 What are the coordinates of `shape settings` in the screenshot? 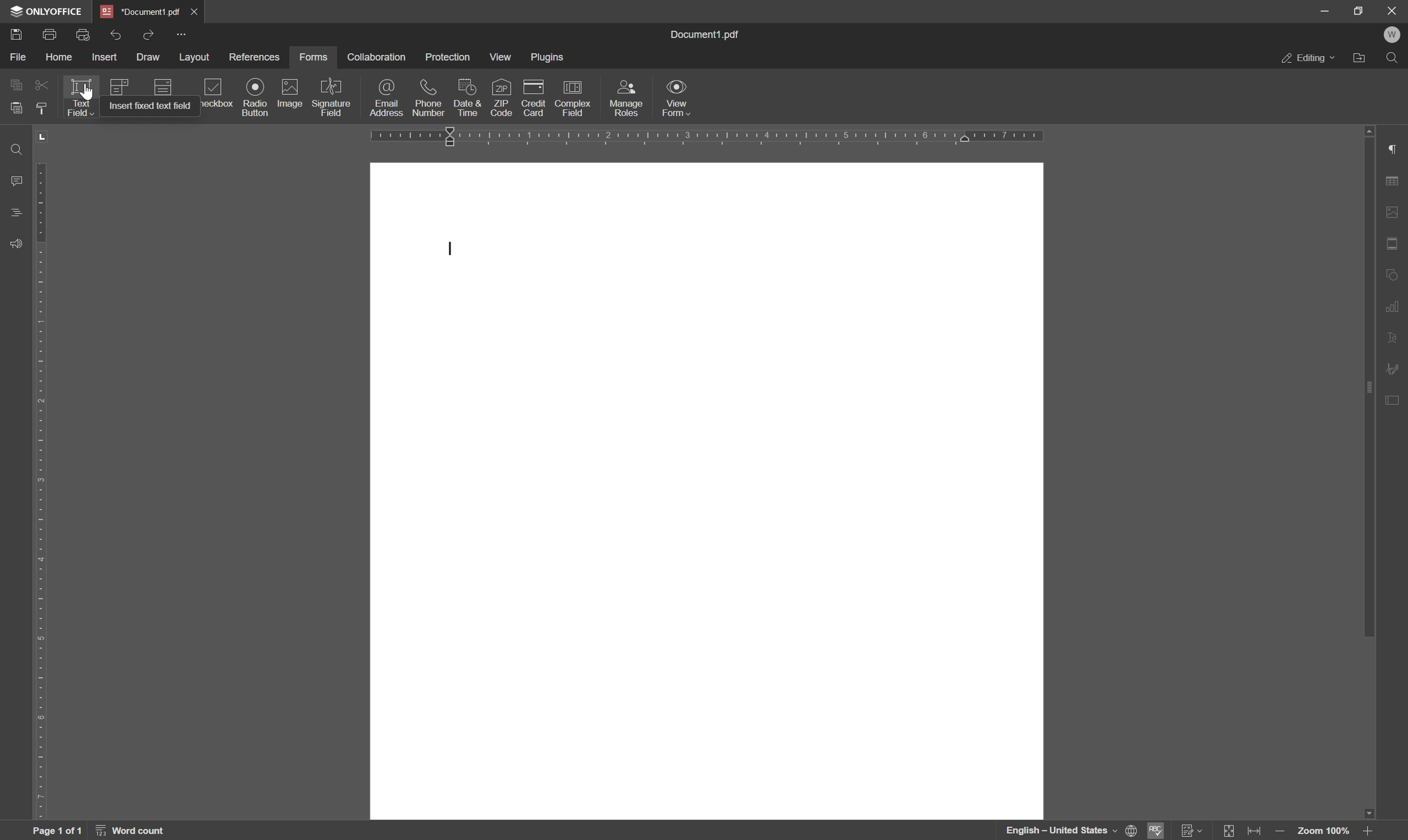 It's located at (1393, 274).